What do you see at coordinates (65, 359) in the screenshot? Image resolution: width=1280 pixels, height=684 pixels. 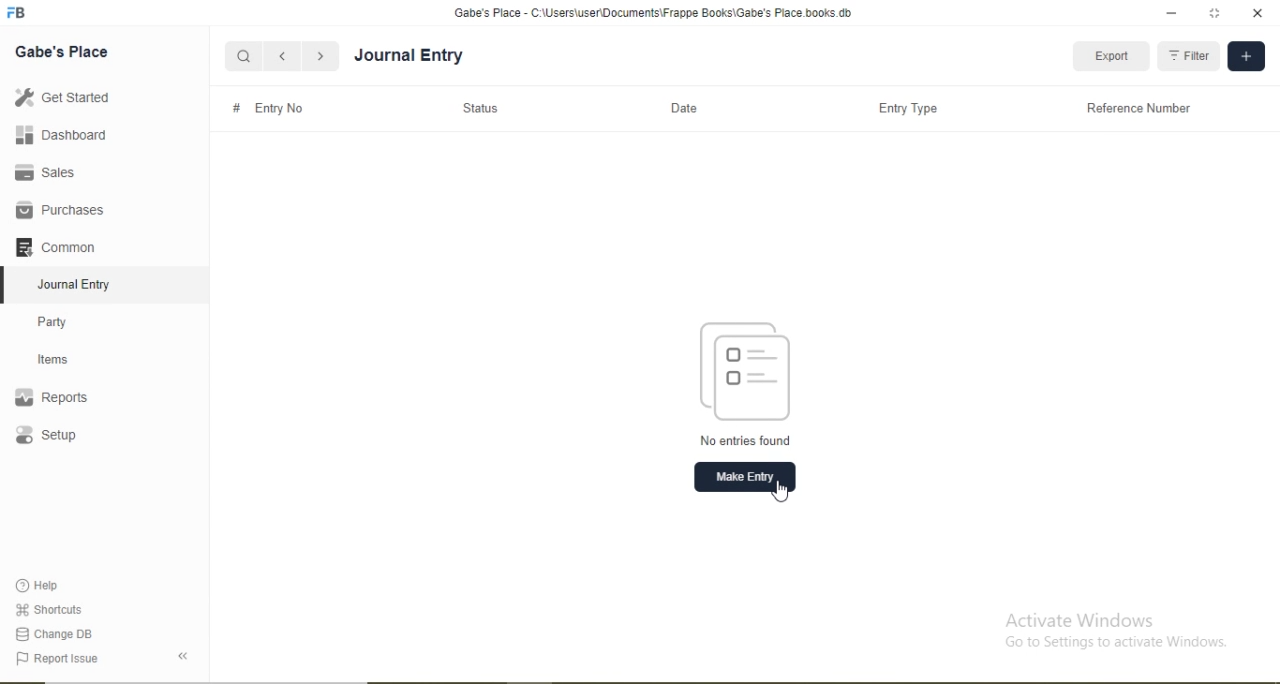 I see `Items` at bounding box center [65, 359].